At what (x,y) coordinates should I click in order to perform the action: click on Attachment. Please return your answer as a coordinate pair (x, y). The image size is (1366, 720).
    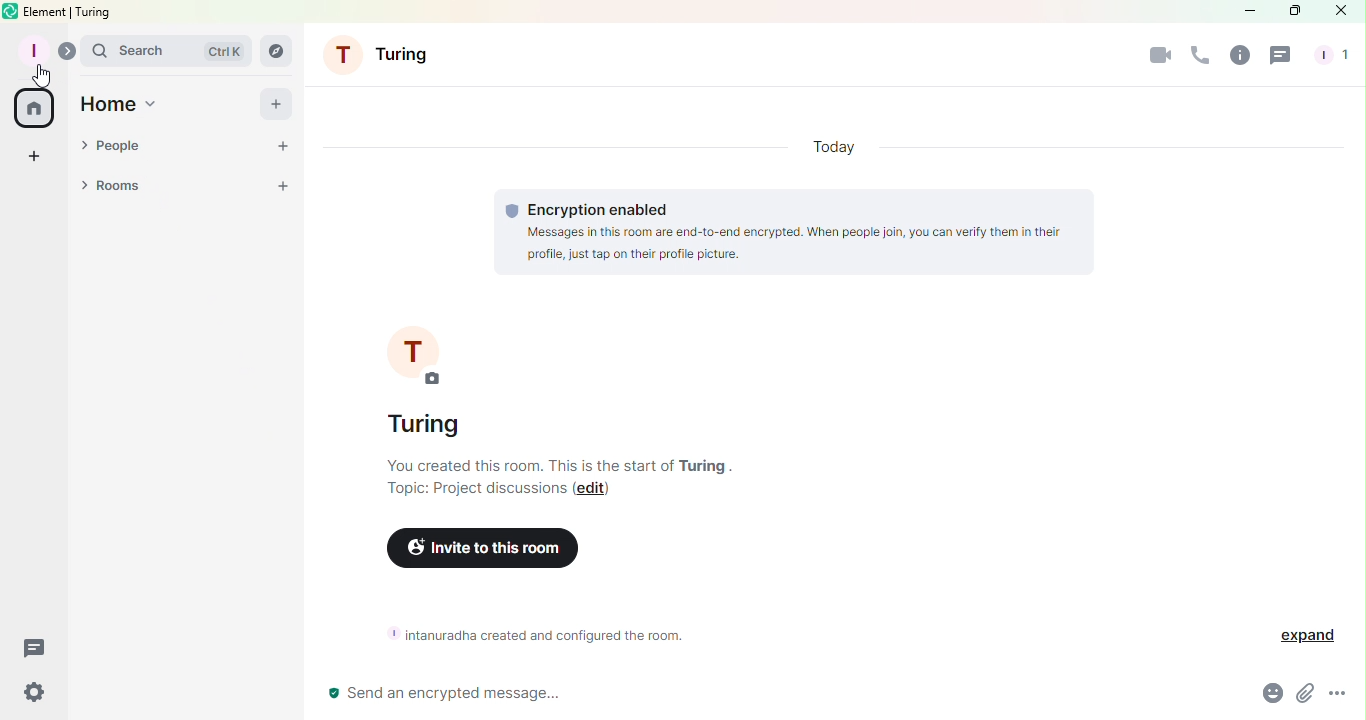
    Looking at the image, I should click on (1306, 696).